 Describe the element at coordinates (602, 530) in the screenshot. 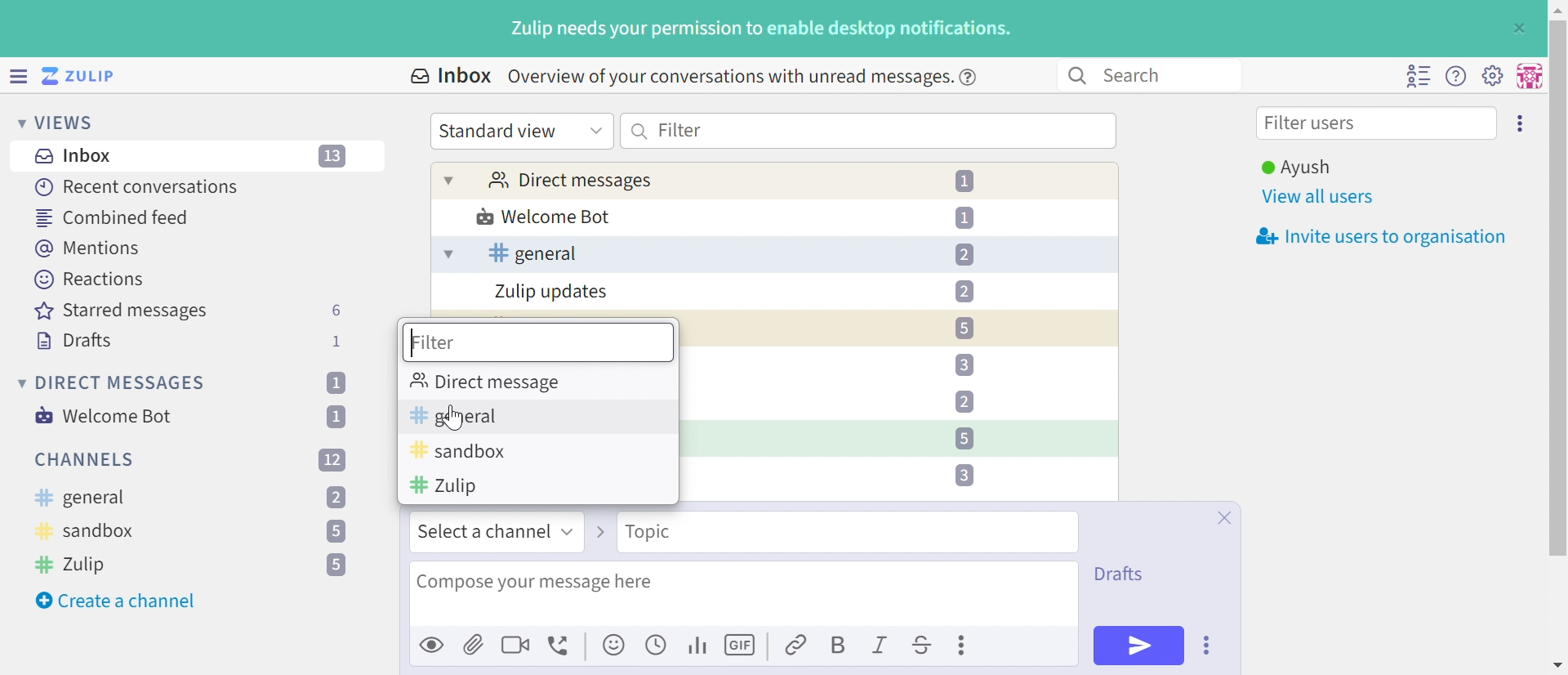

I see `Forward arrow` at that location.